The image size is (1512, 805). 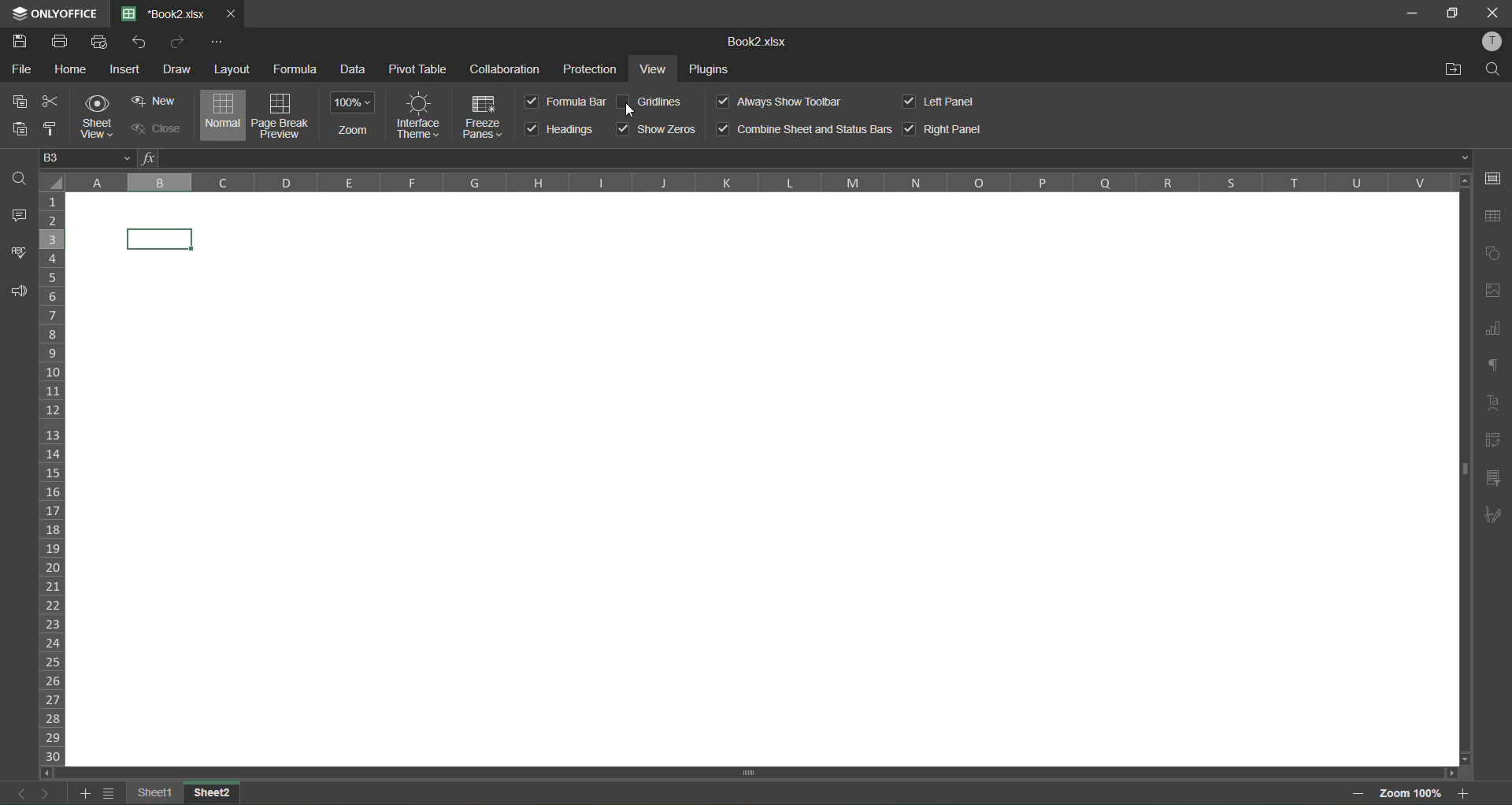 I want to click on column names in alphabets, so click(x=755, y=183).